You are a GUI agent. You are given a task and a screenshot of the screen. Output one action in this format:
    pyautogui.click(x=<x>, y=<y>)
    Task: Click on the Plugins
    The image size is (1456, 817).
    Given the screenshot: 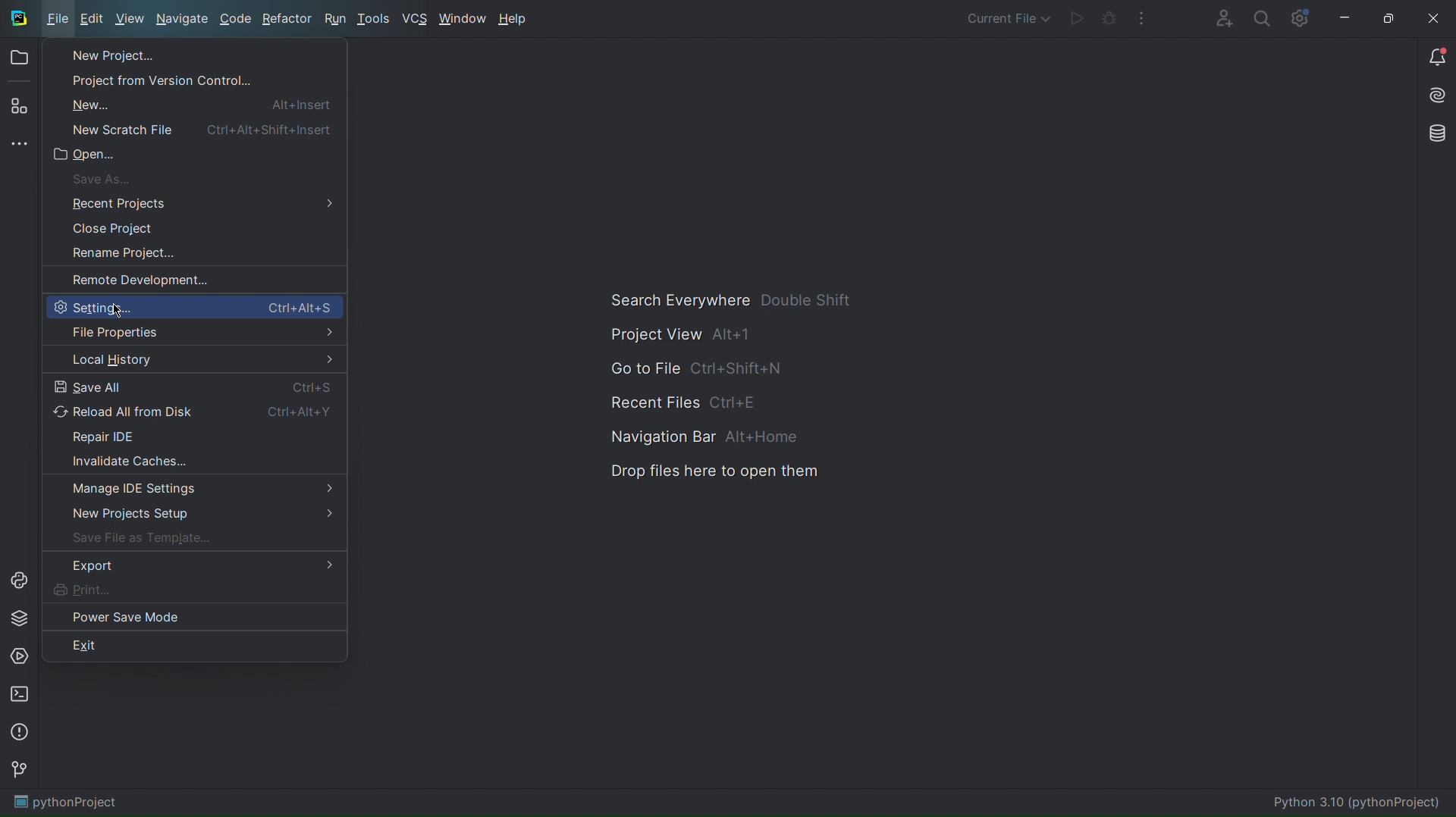 What is the action you would take?
    pyautogui.click(x=17, y=108)
    